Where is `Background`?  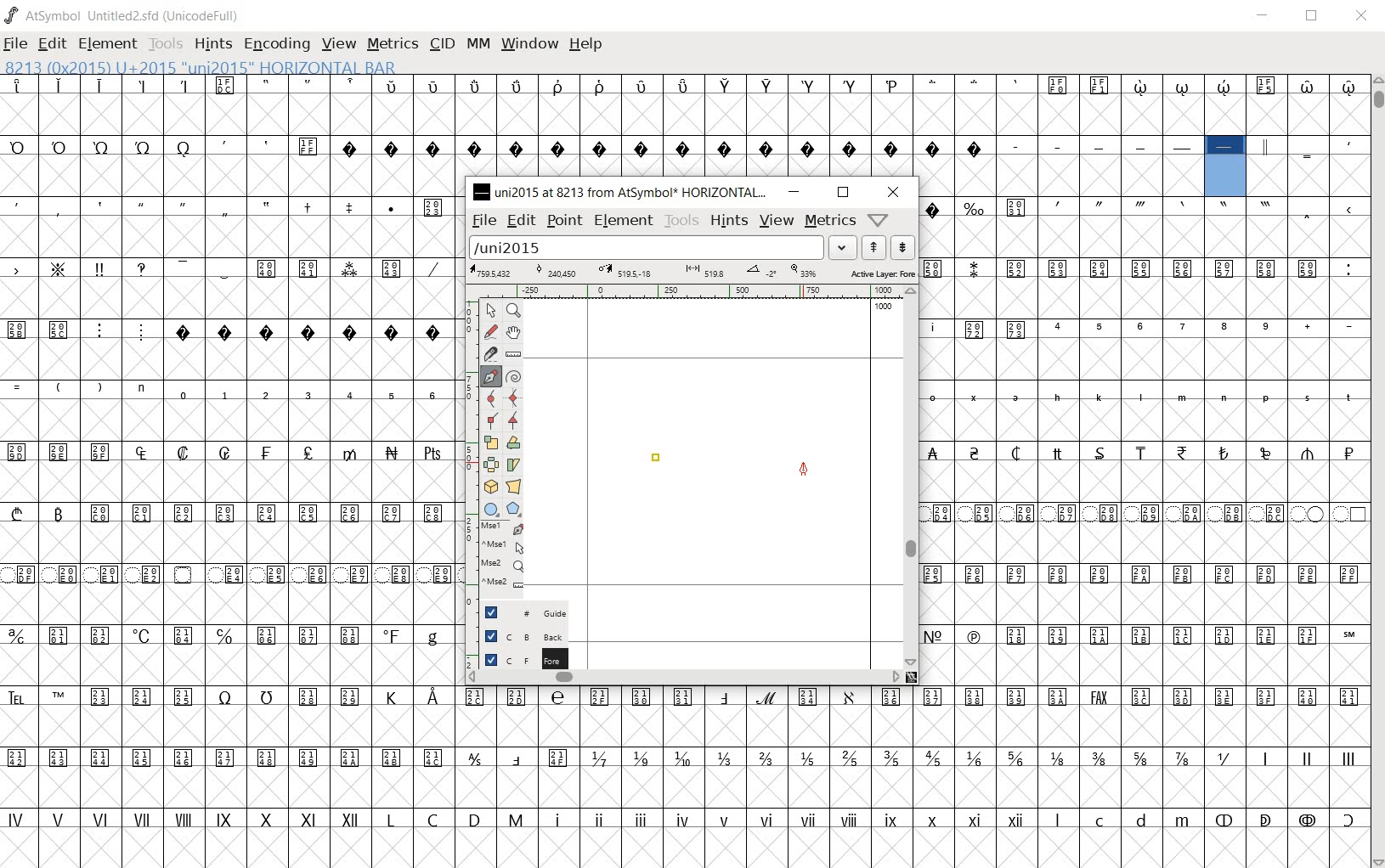
Background is located at coordinates (518, 636).